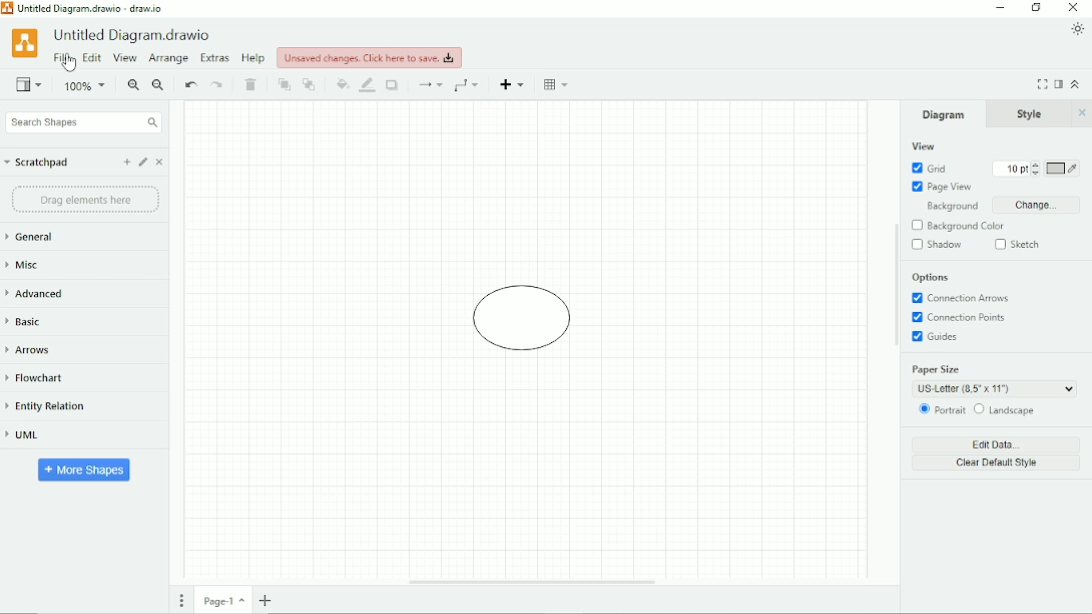  I want to click on Options, so click(931, 278).